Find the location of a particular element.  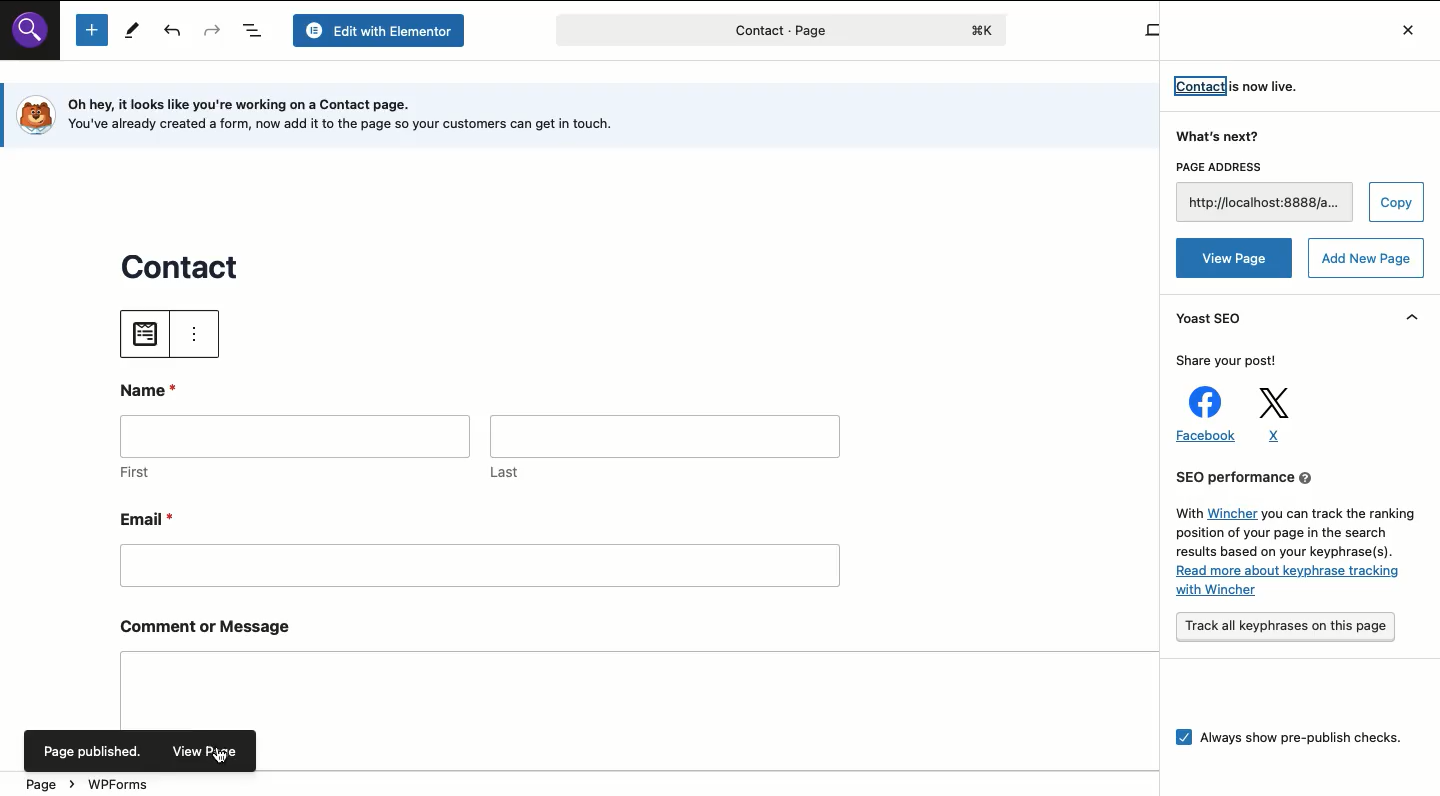

First is located at coordinates (296, 450).